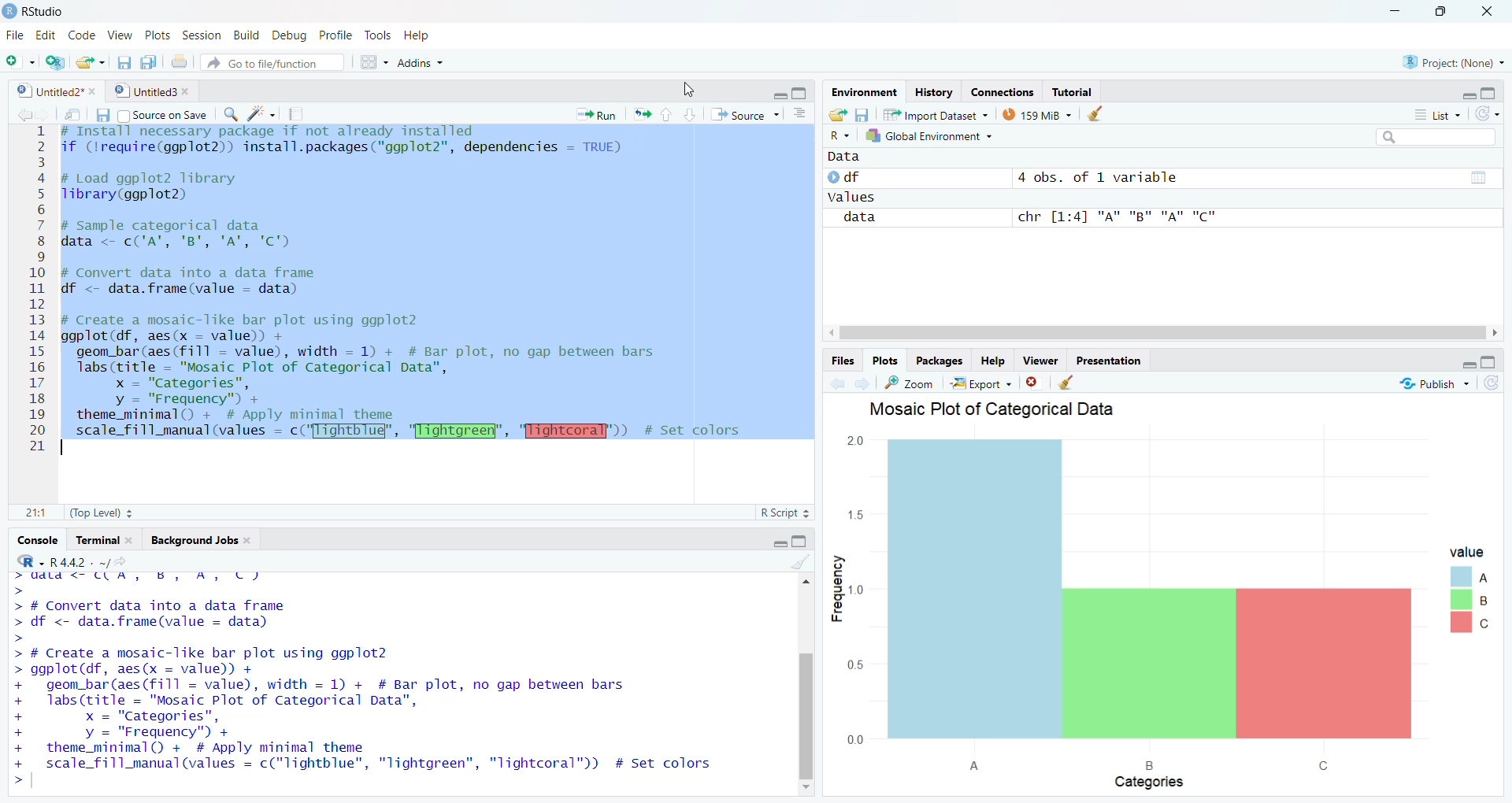 This screenshot has height=803, width=1512. Describe the element at coordinates (835, 385) in the screenshot. I see `Previous` at that location.